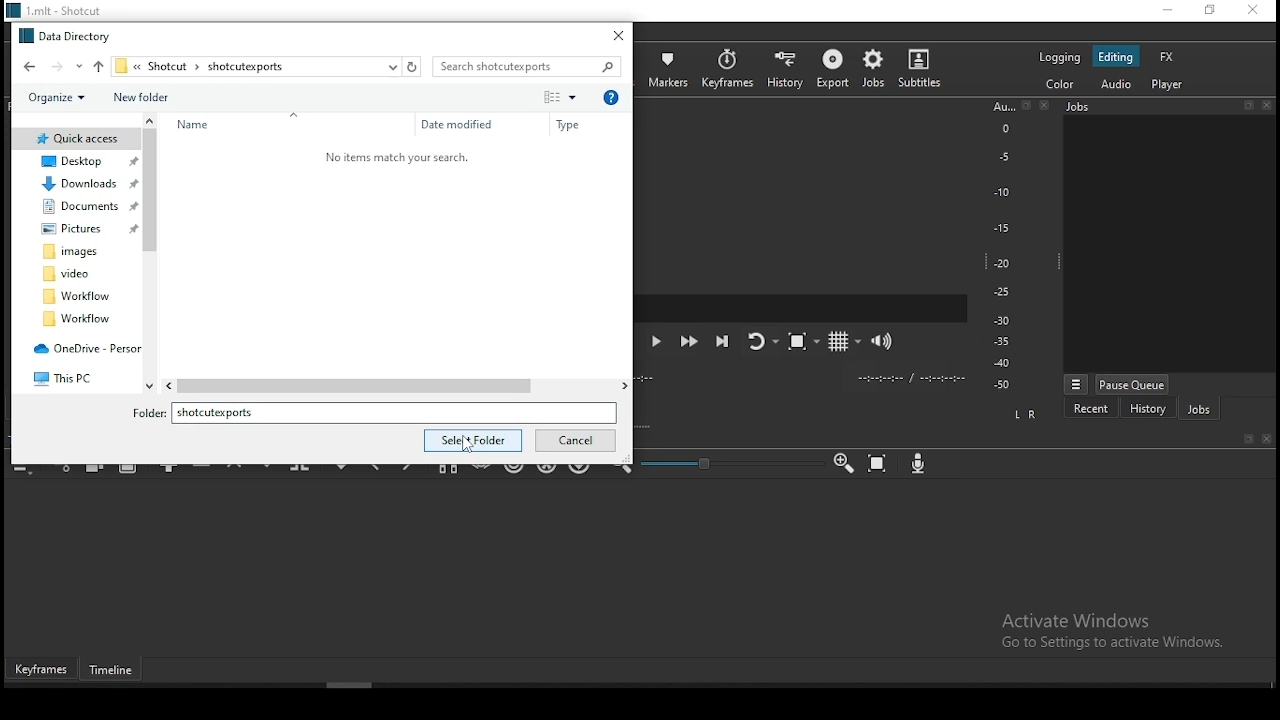 The height and width of the screenshot is (720, 1280). Describe the element at coordinates (760, 346) in the screenshot. I see `toggle player after looping` at that location.